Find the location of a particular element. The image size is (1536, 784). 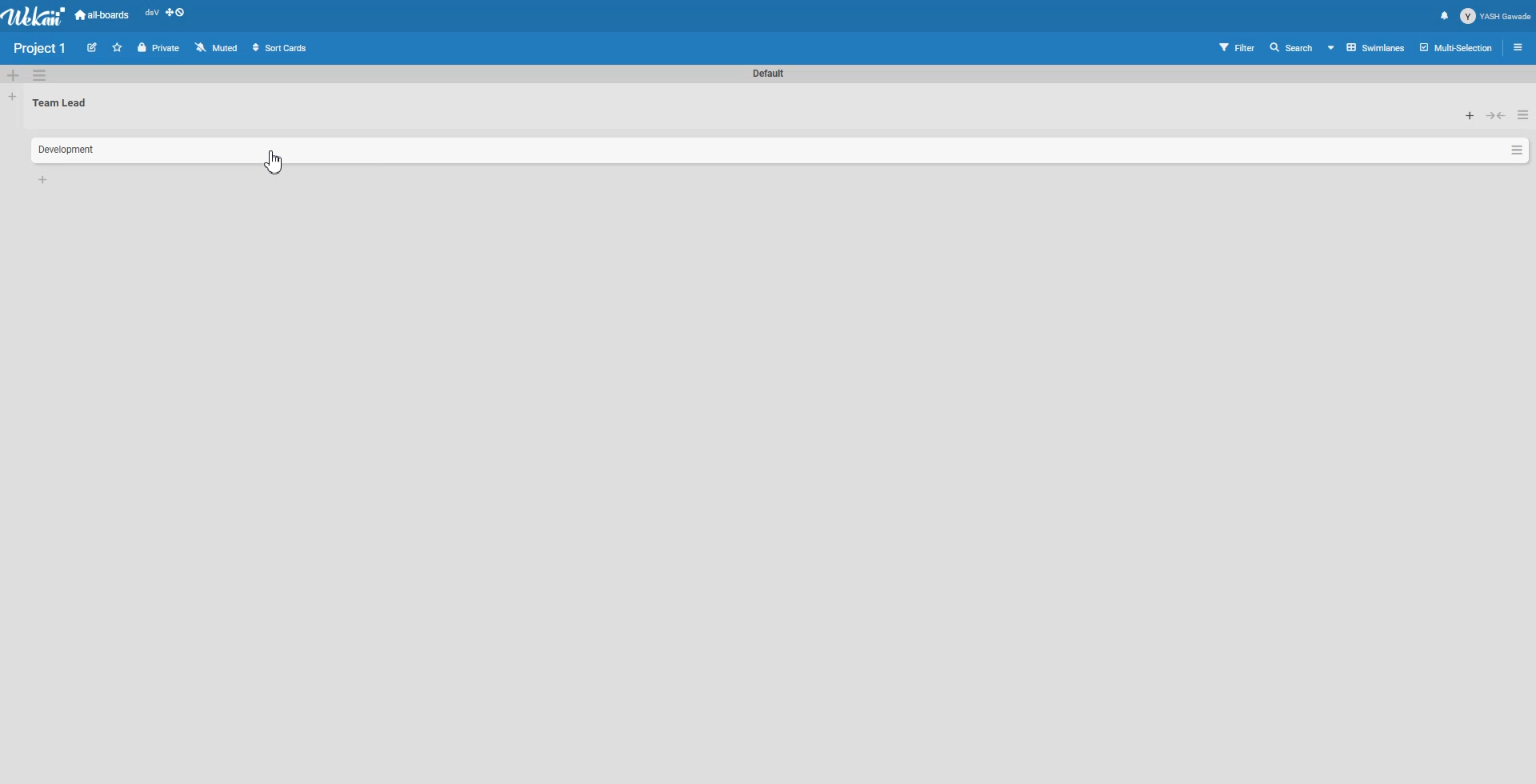

Cursor is located at coordinates (272, 162).